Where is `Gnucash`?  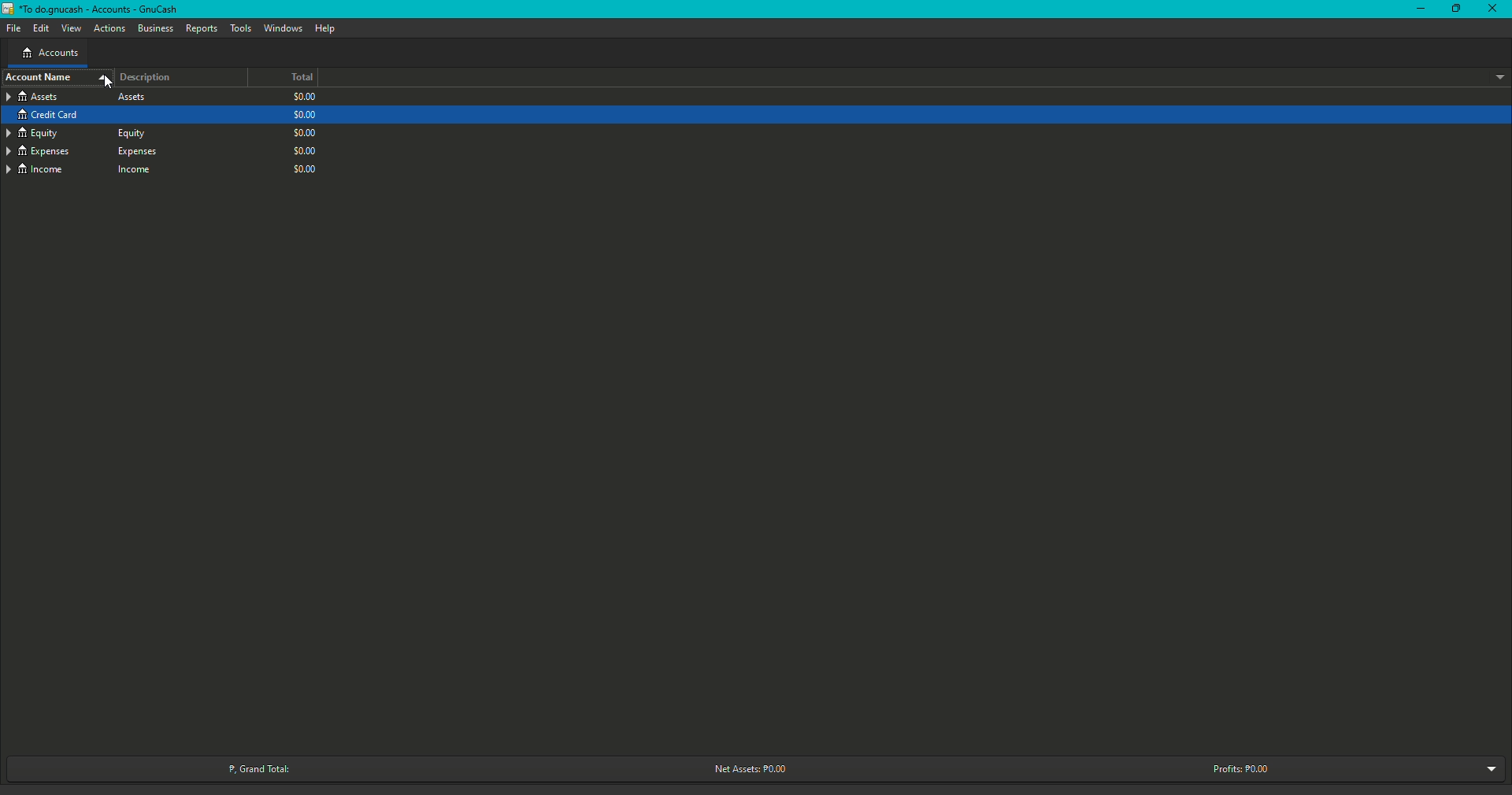 Gnucash is located at coordinates (96, 9).